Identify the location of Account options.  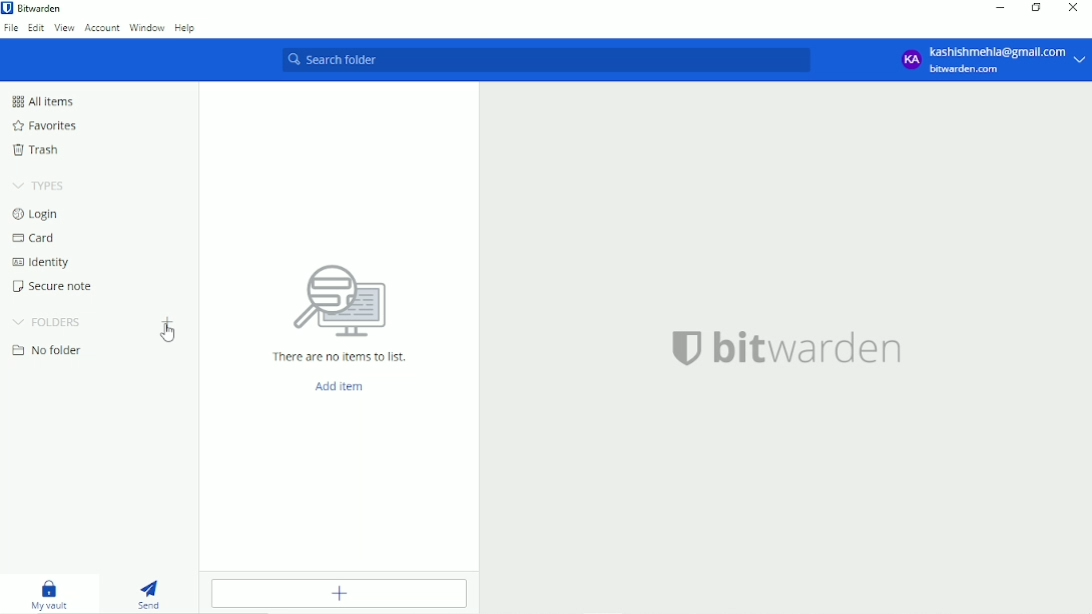
(990, 60).